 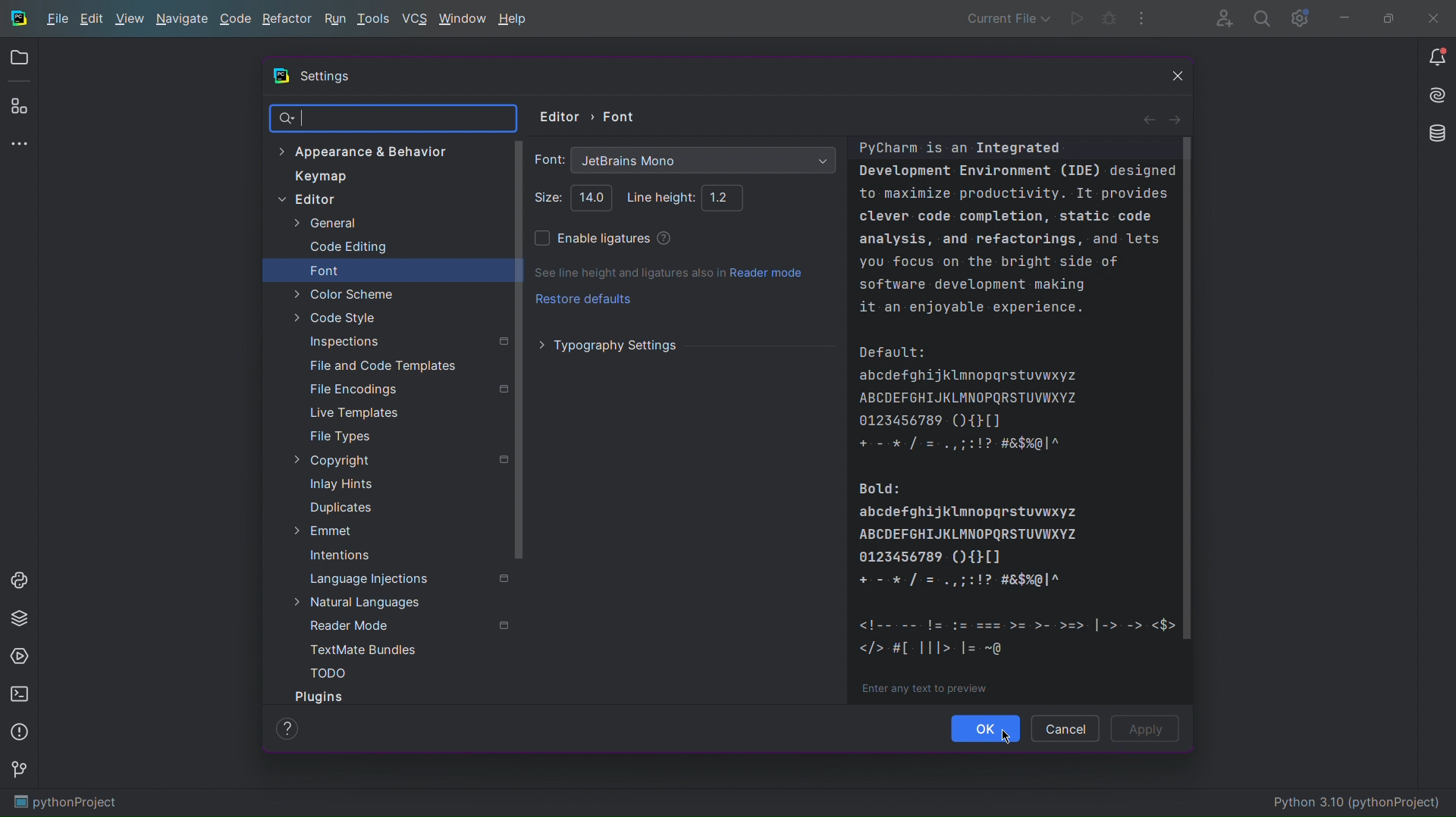 I want to click on Font, so click(x=548, y=159).